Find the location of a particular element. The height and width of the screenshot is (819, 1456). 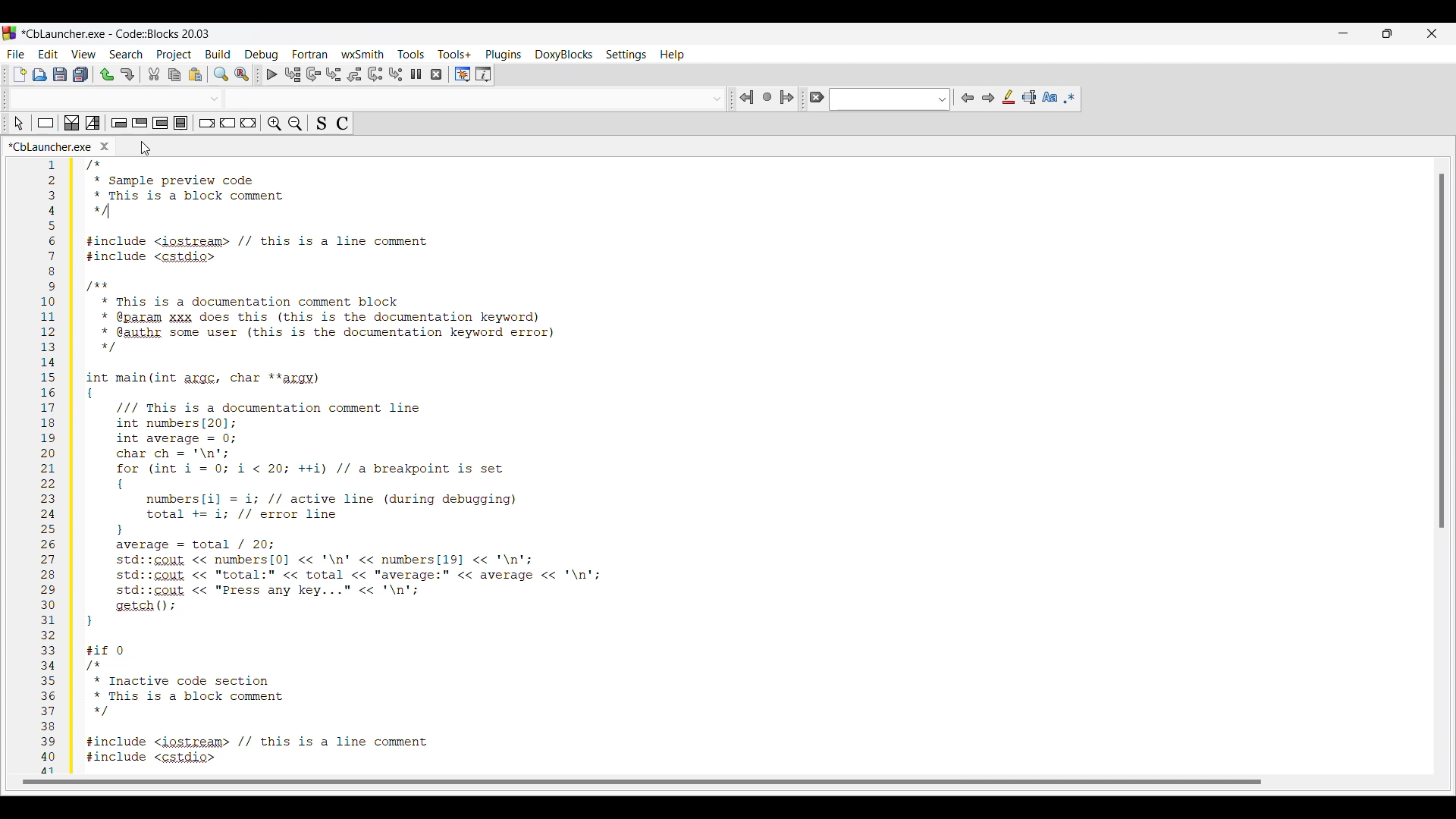

Instruction is located at coordinates (45, 122).